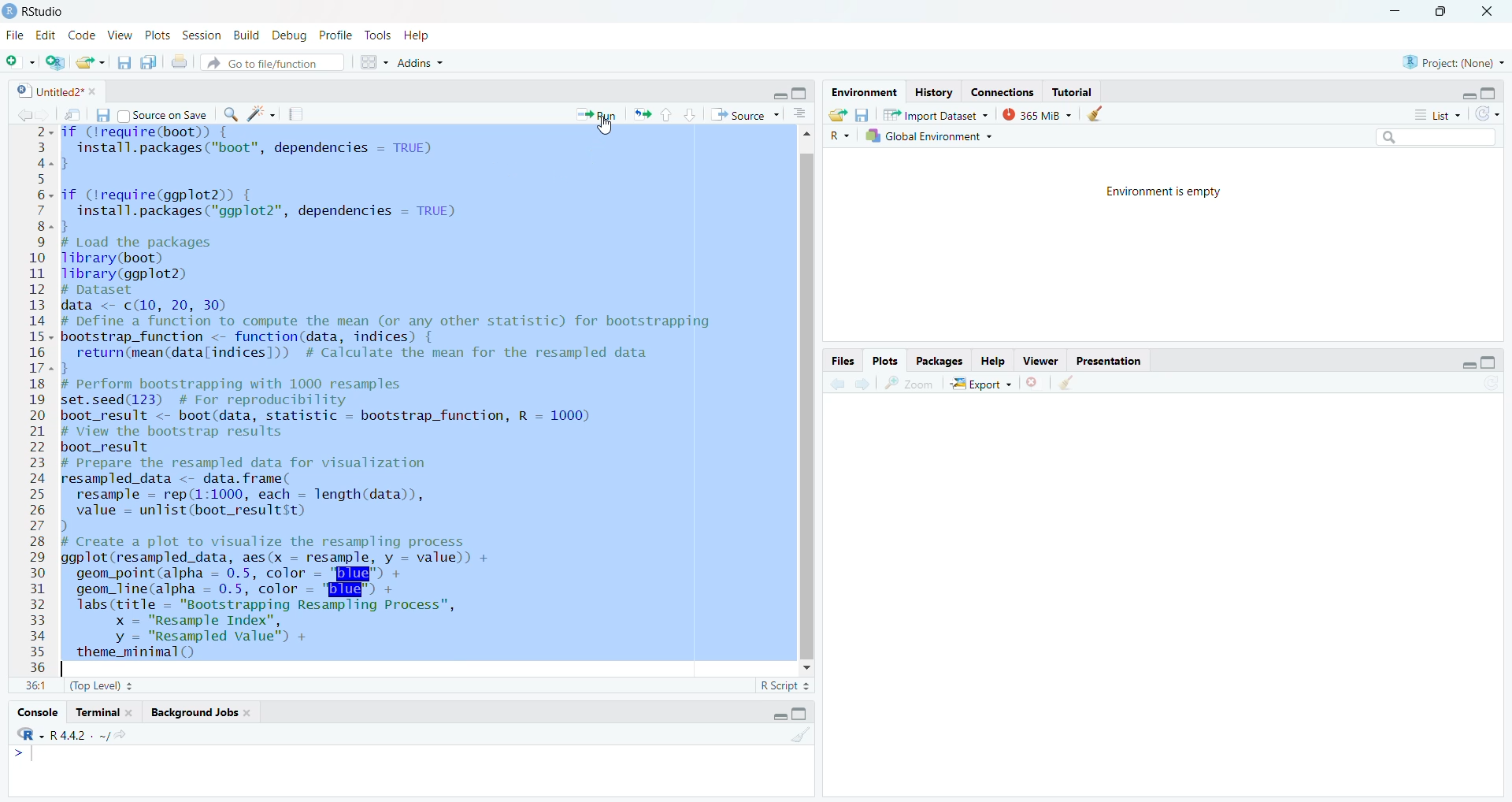 This screenshot has height=802, width=1512. Describe the element at coordinates (596, 117) in the screenshot. I see ` Run` at that location.